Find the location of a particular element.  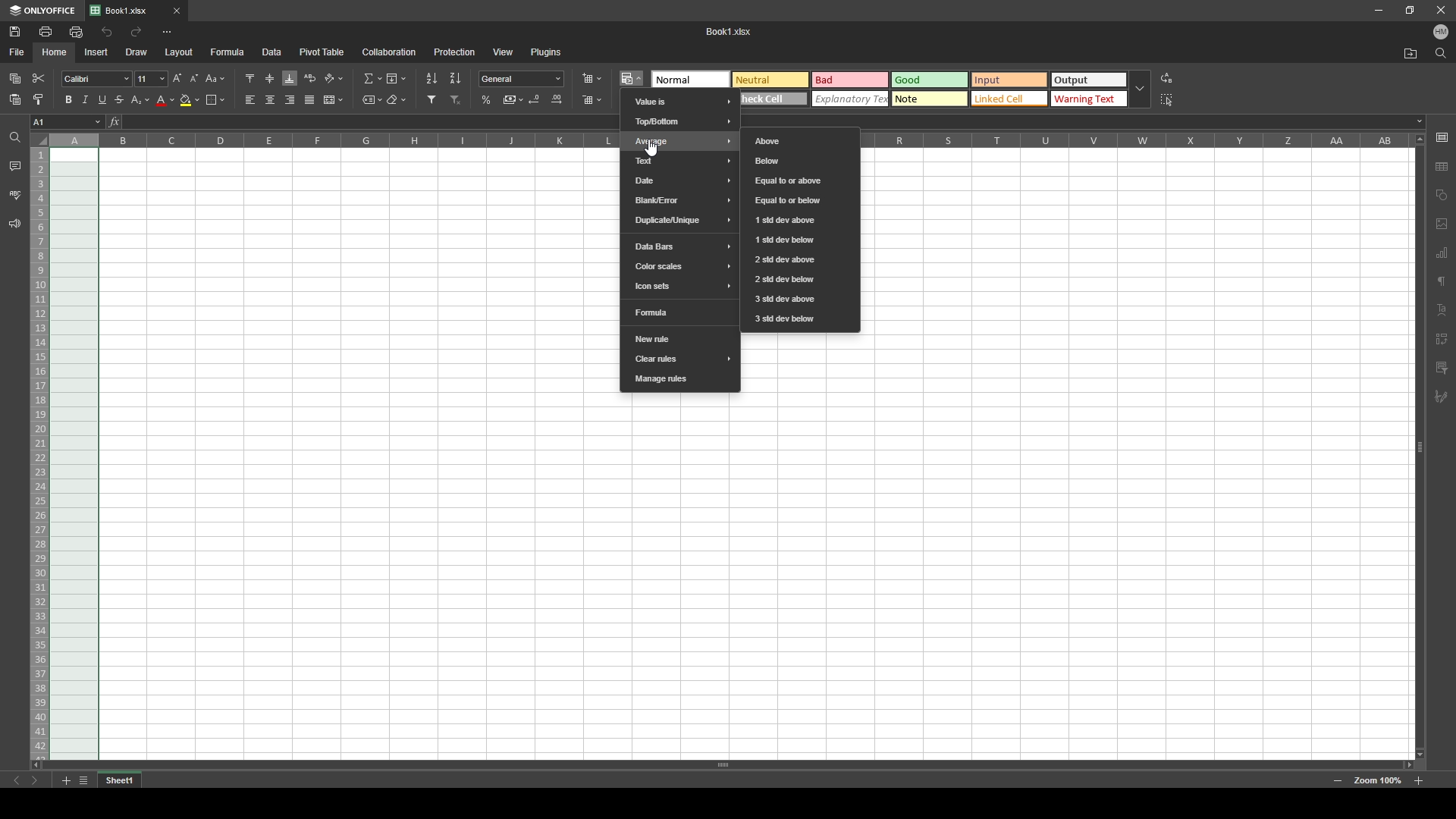

close tab is located at coordinates (177, 11).